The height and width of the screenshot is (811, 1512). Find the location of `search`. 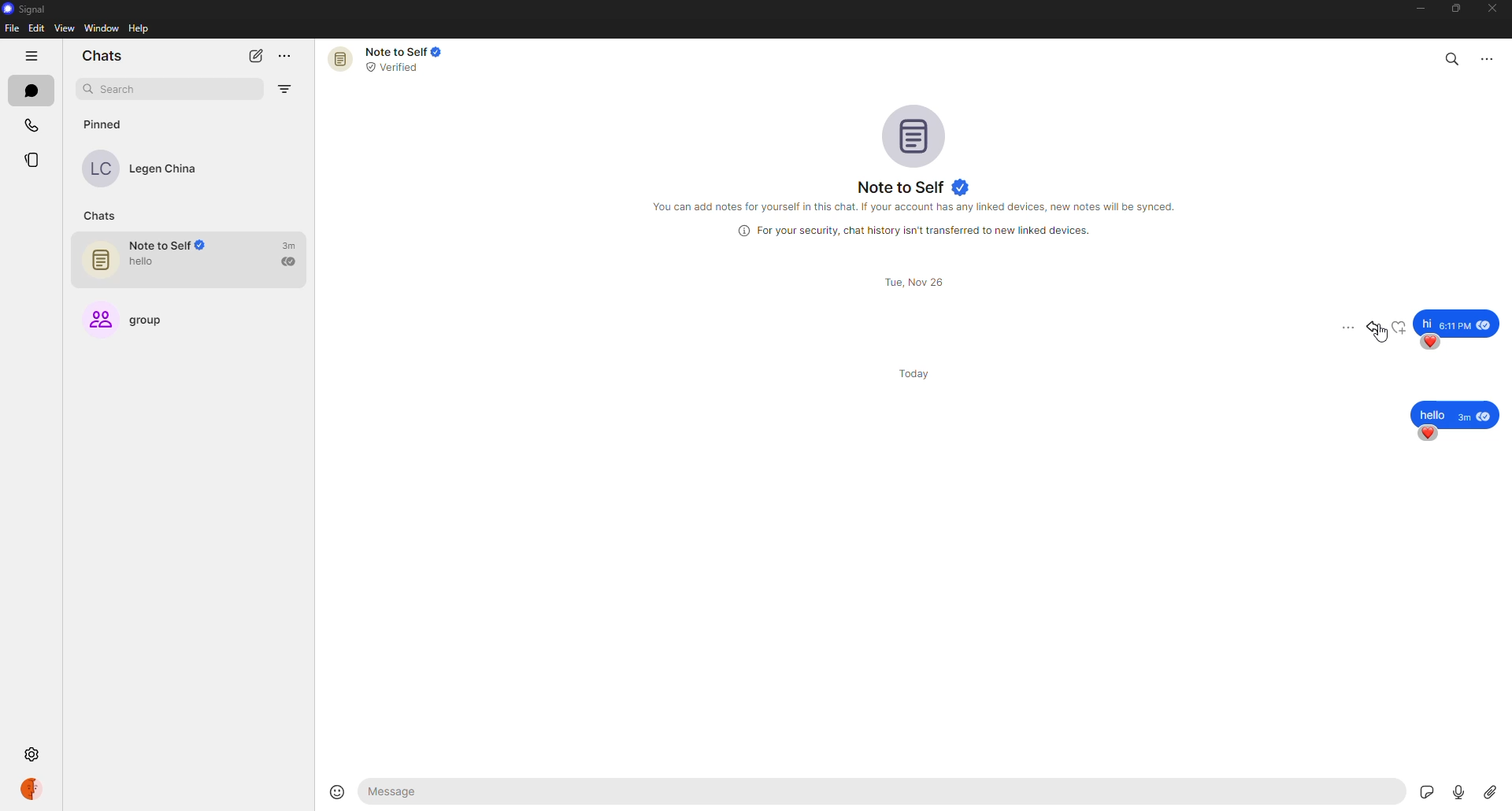

search is located at coordinates (1453, 57).